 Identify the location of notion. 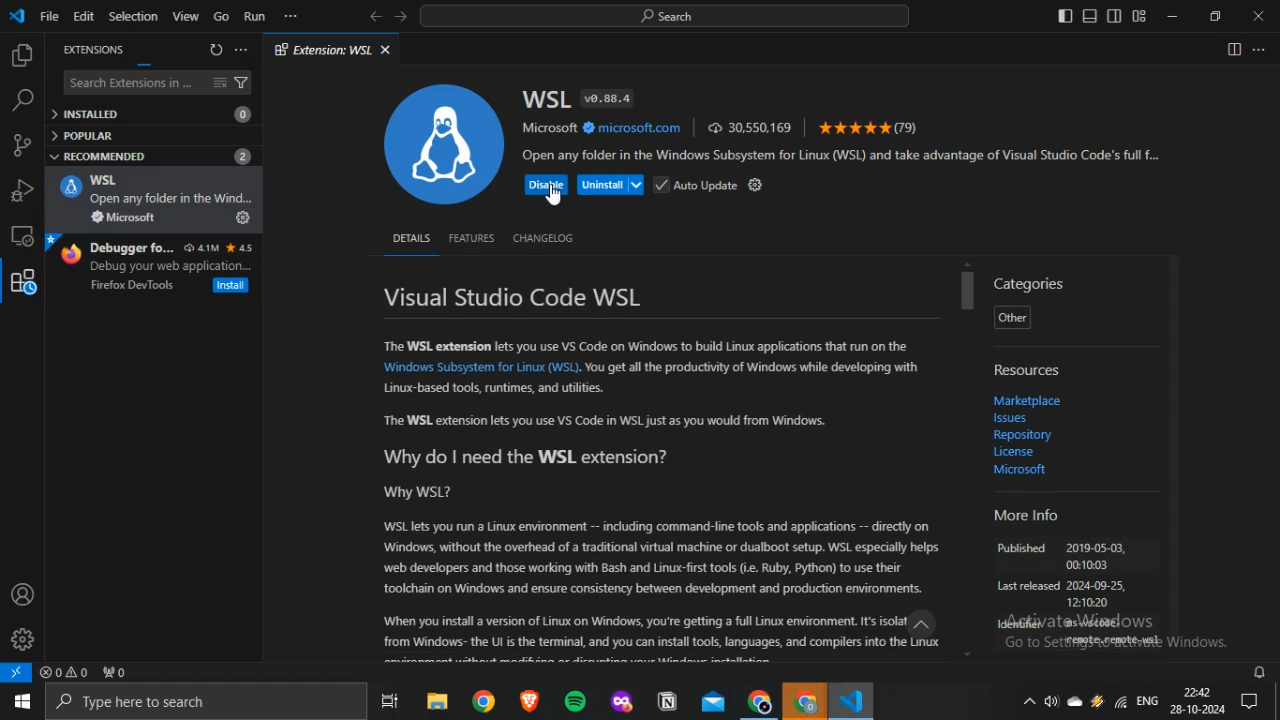
(668, 700).